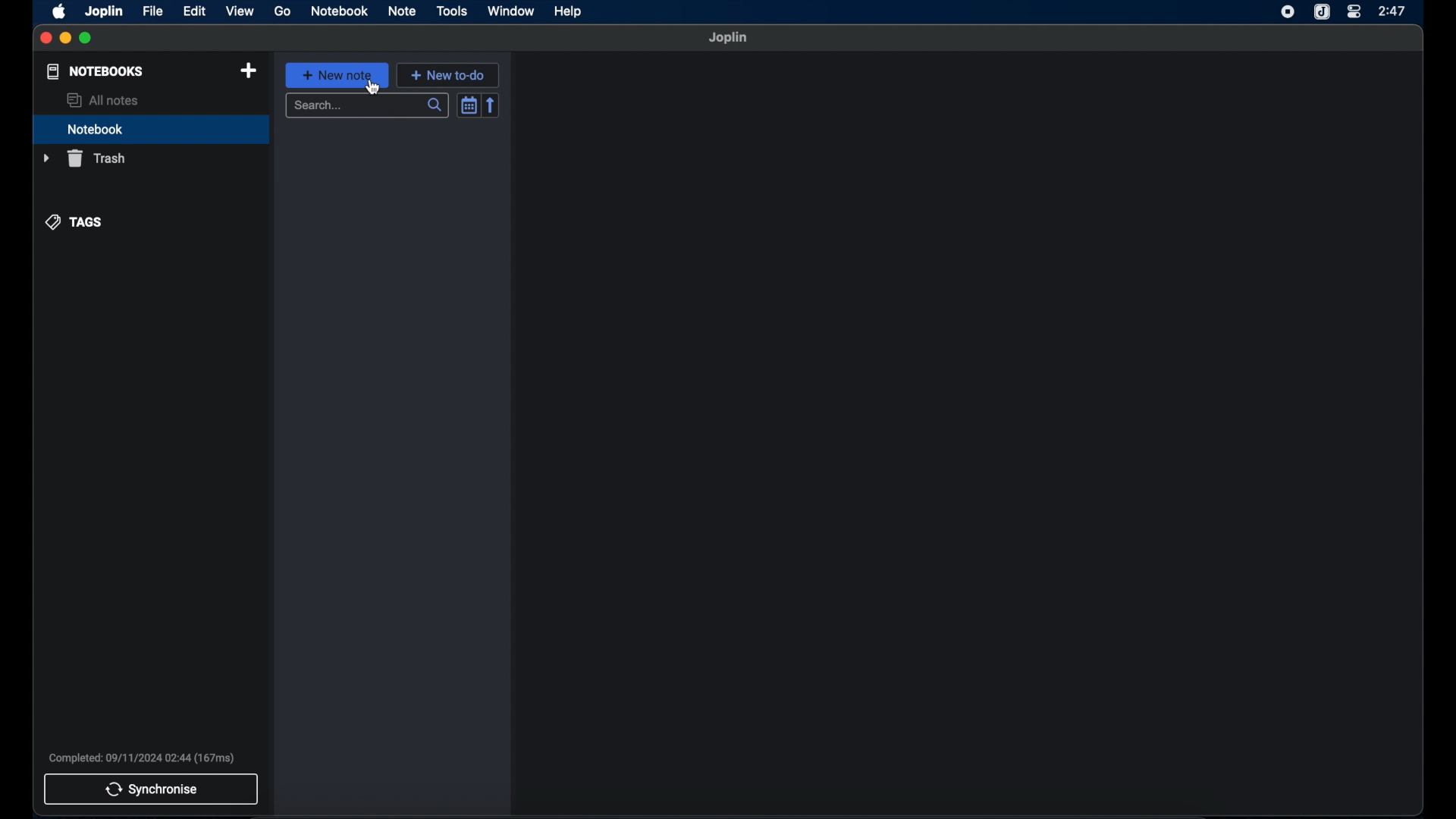 The image size is (1456, 819). I want to click on new notebook, so click(248, 71).